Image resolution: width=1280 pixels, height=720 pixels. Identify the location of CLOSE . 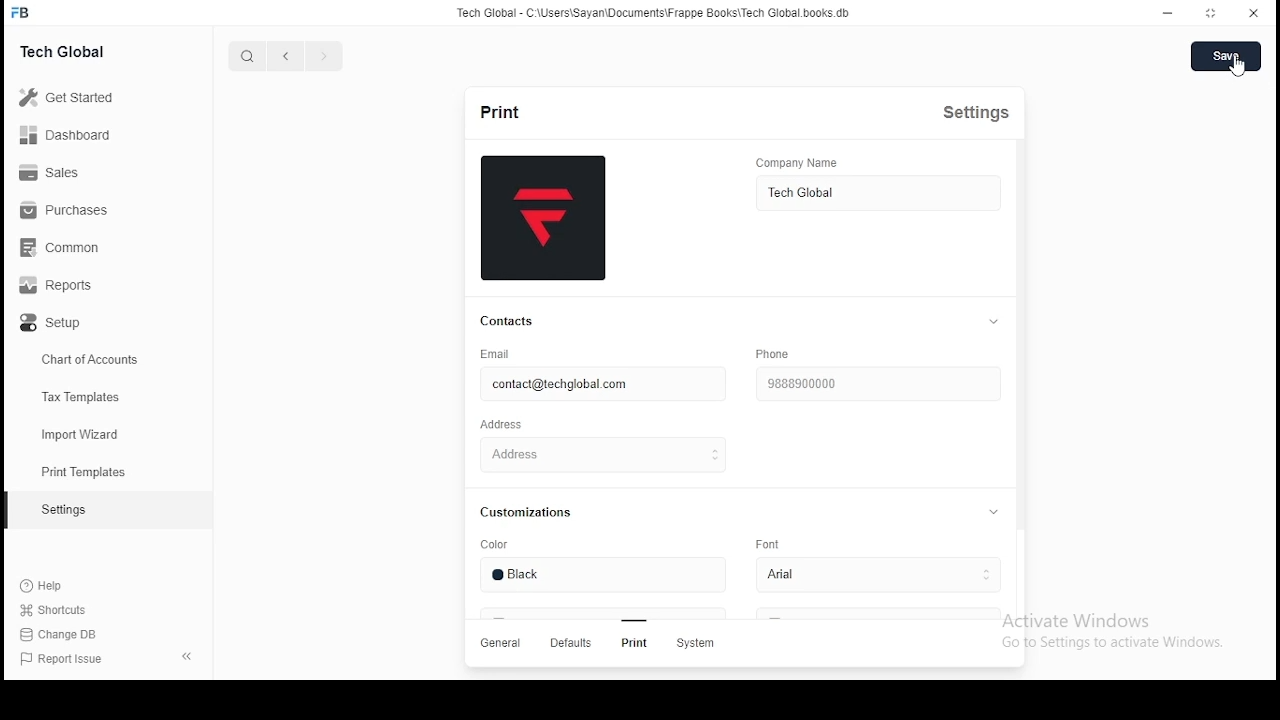
(1255, 13).